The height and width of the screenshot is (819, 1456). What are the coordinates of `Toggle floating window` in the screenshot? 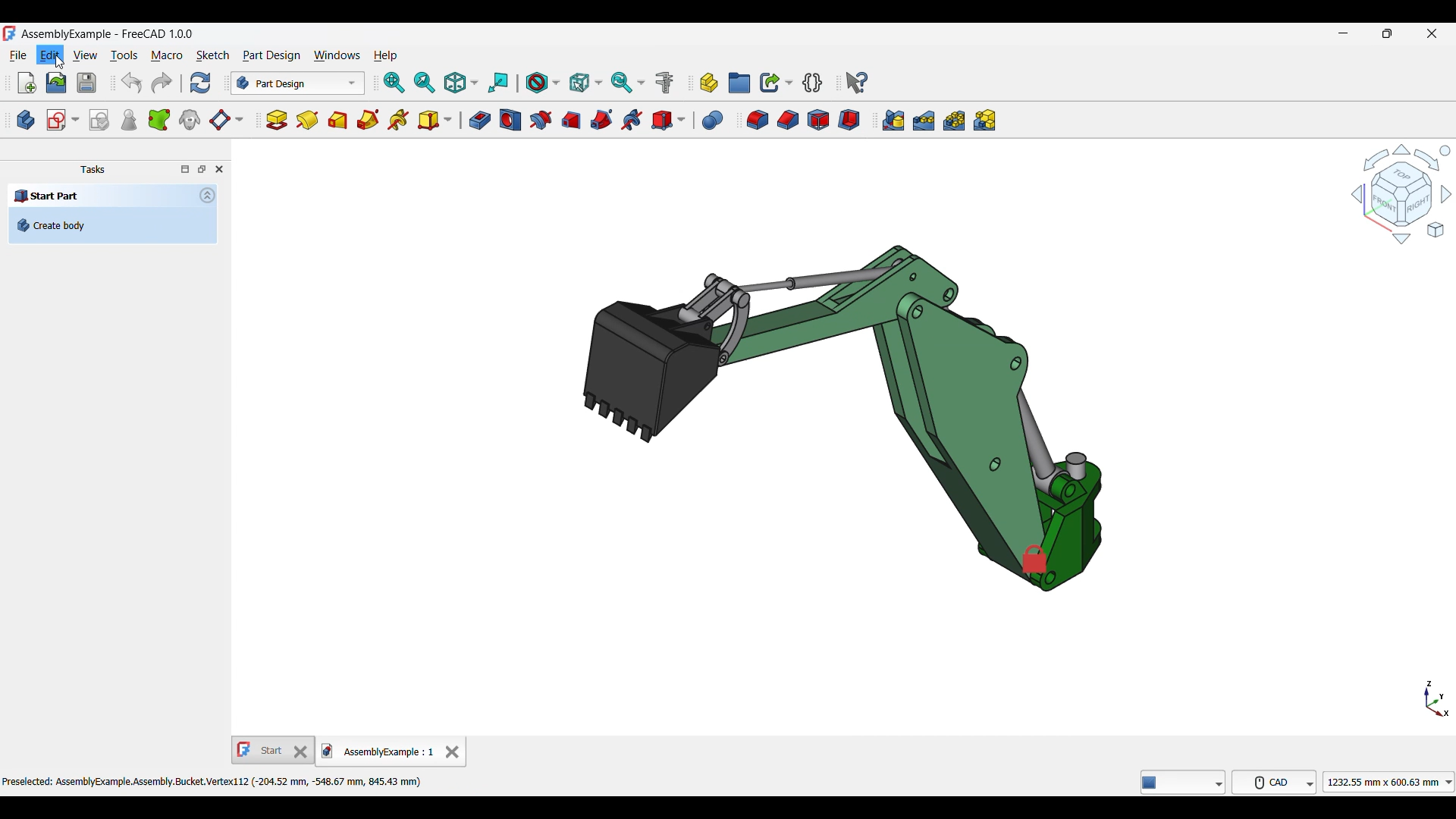 It's located at (202, 168).